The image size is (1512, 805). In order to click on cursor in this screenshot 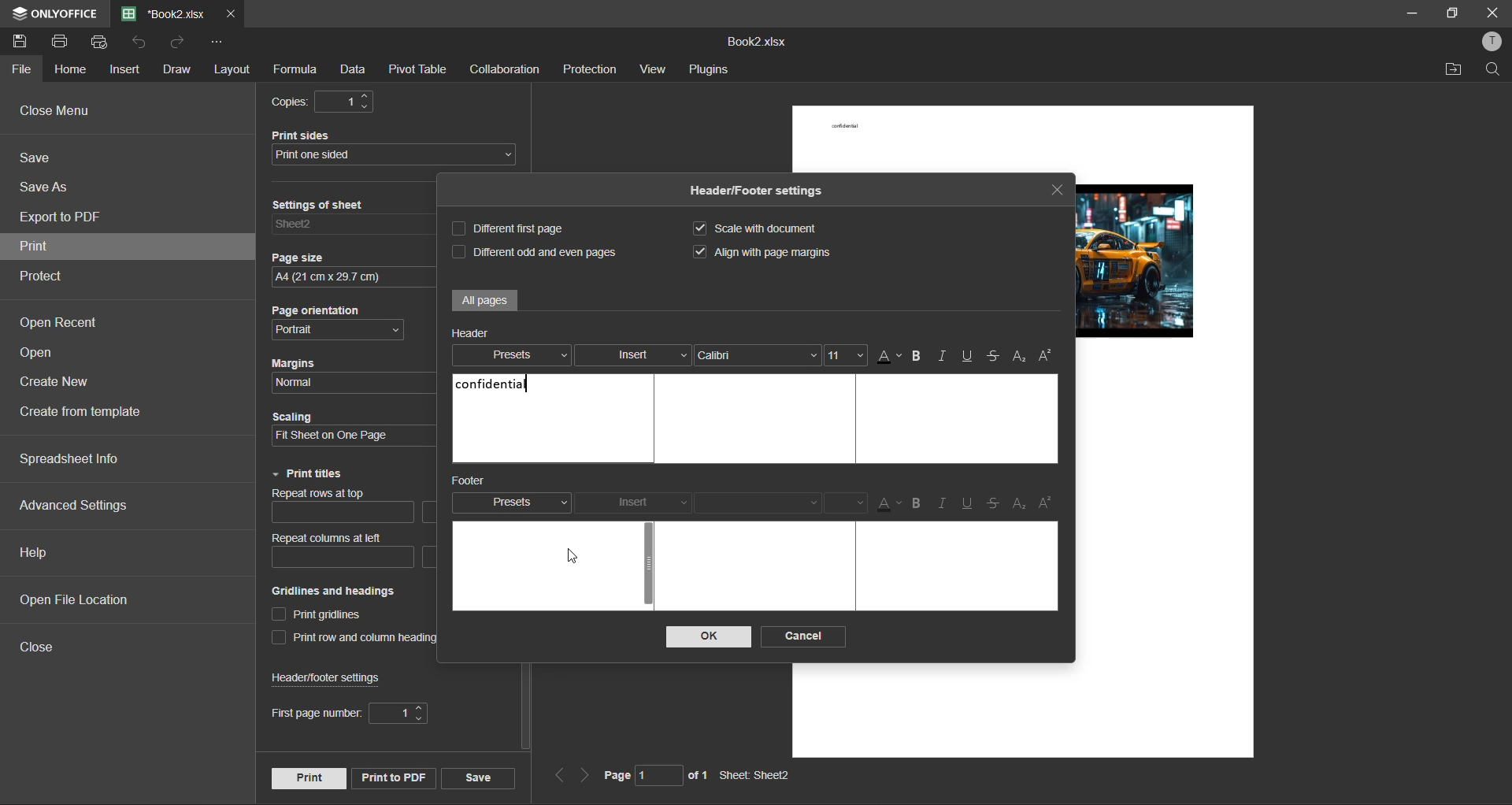, I will do `click(576, 560)`.